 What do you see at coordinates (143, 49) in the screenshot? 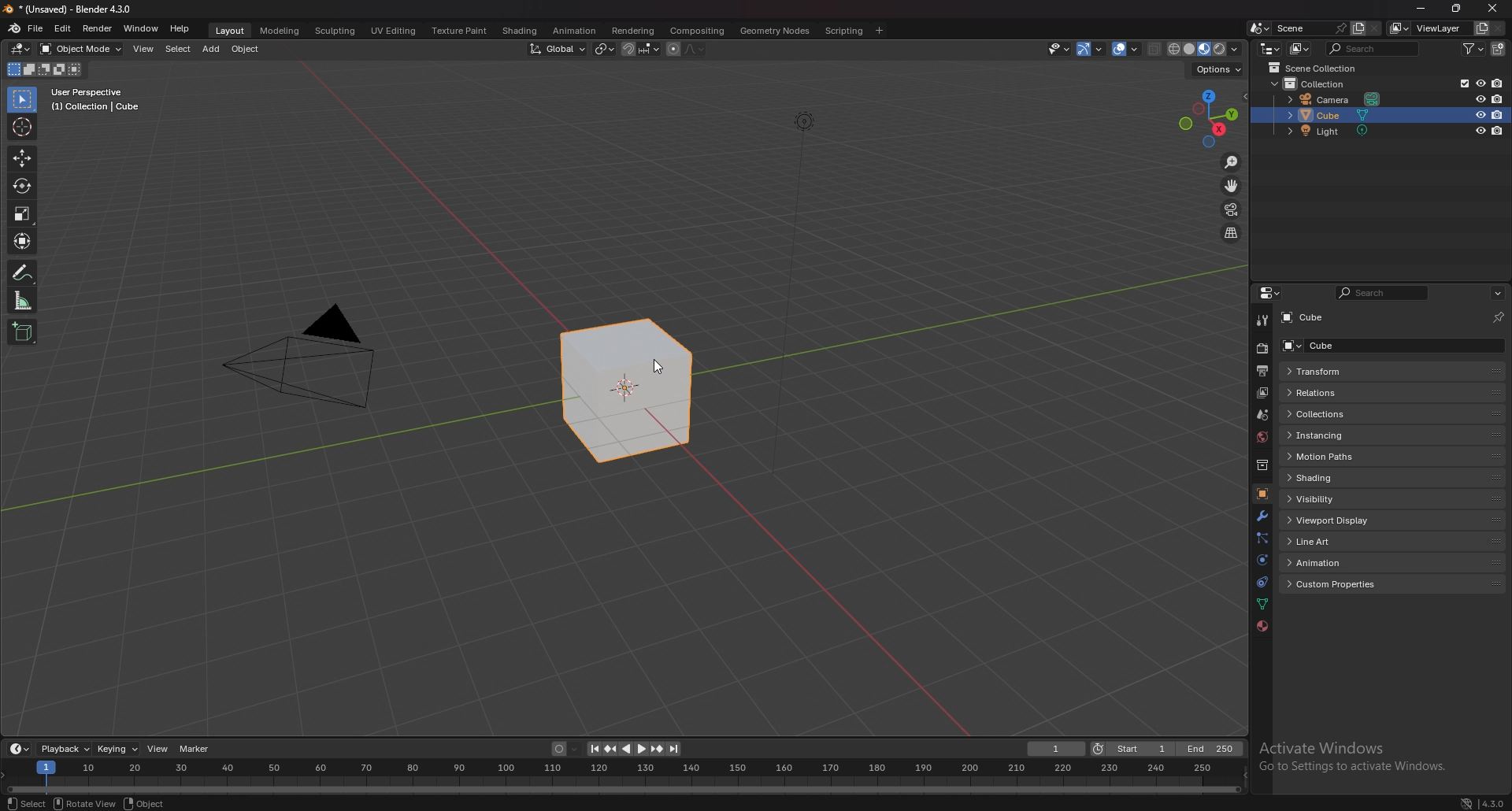
I see `view` at bounding box center [143, 49].